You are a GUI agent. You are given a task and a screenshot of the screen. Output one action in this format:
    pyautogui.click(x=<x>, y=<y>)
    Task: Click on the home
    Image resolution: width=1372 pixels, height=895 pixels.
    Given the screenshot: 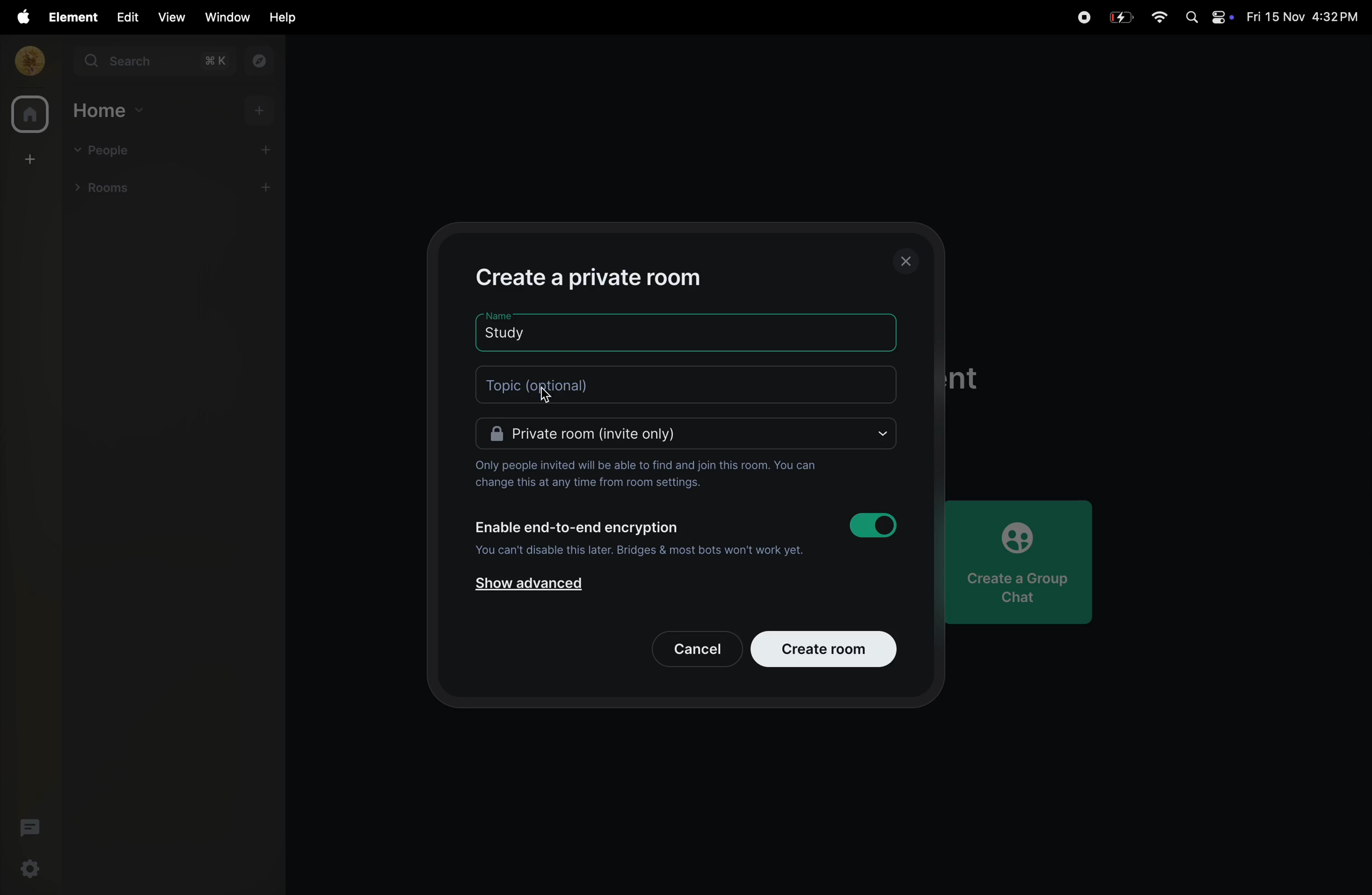 What is the action you would take?
    pyautogui.click(x=109, y=111)
    